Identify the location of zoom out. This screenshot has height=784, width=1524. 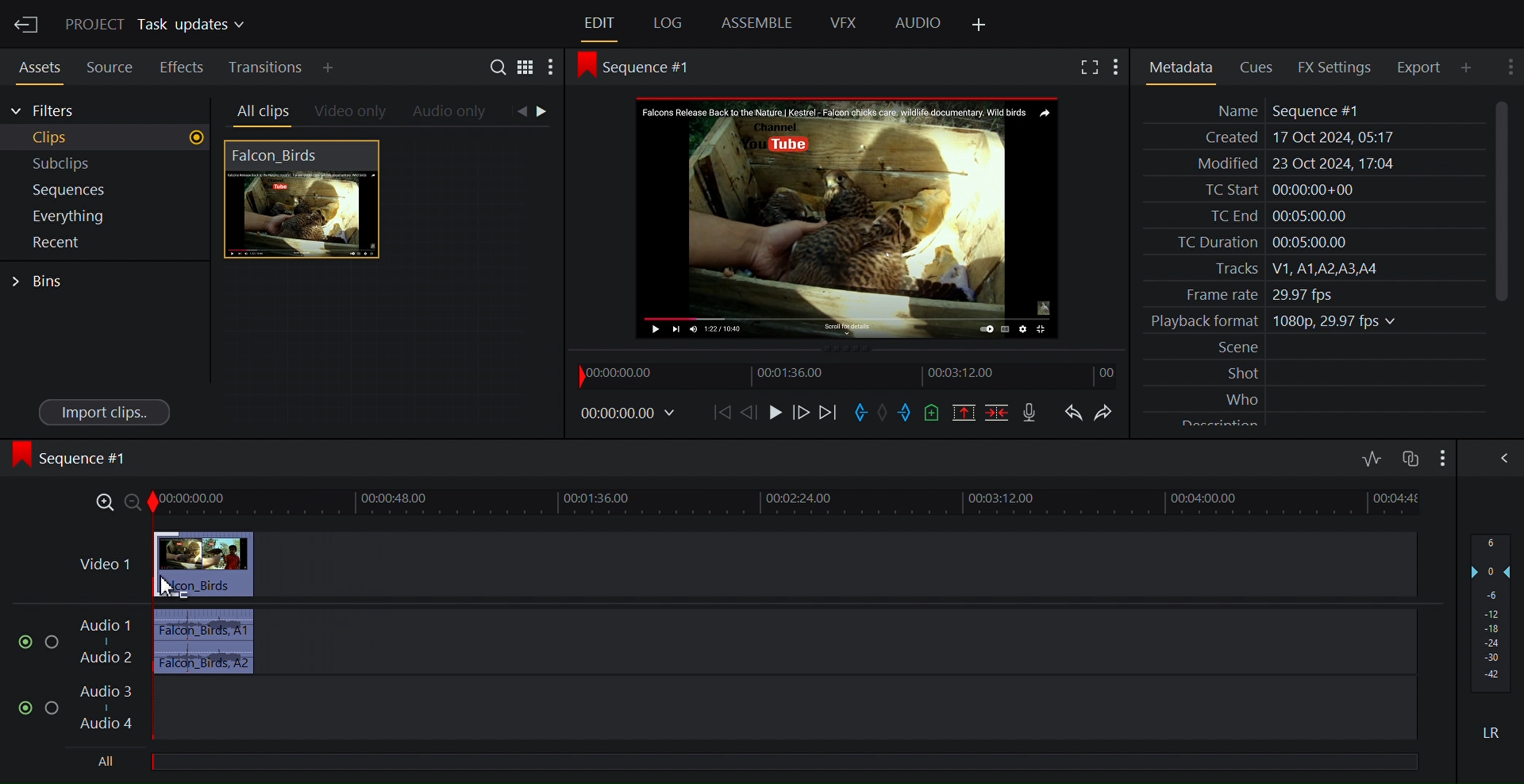
(133, 504).